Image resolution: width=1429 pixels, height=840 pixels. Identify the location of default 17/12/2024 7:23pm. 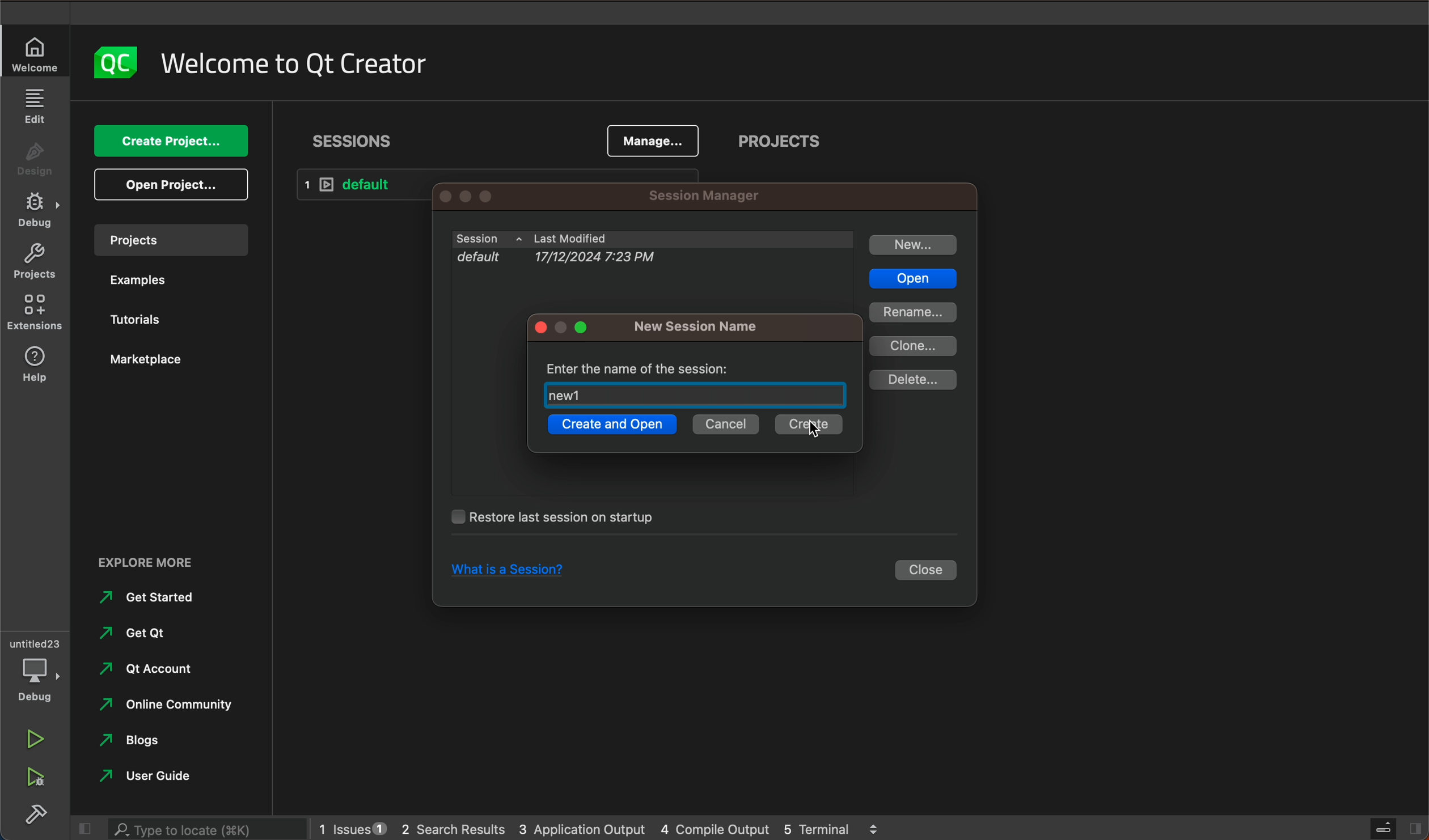
(644, 261).